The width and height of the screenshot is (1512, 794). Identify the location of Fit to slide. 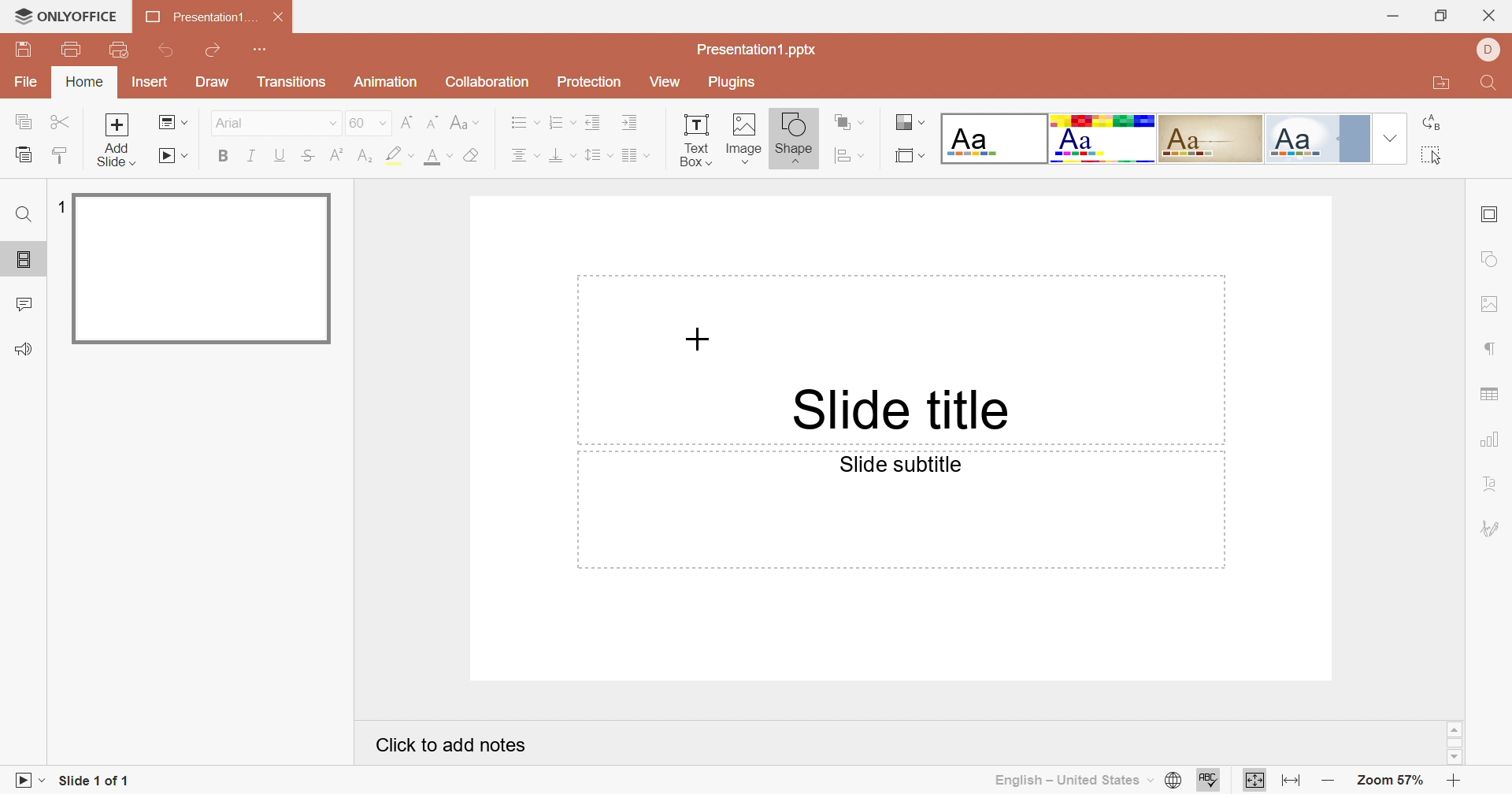
(1252, 781).